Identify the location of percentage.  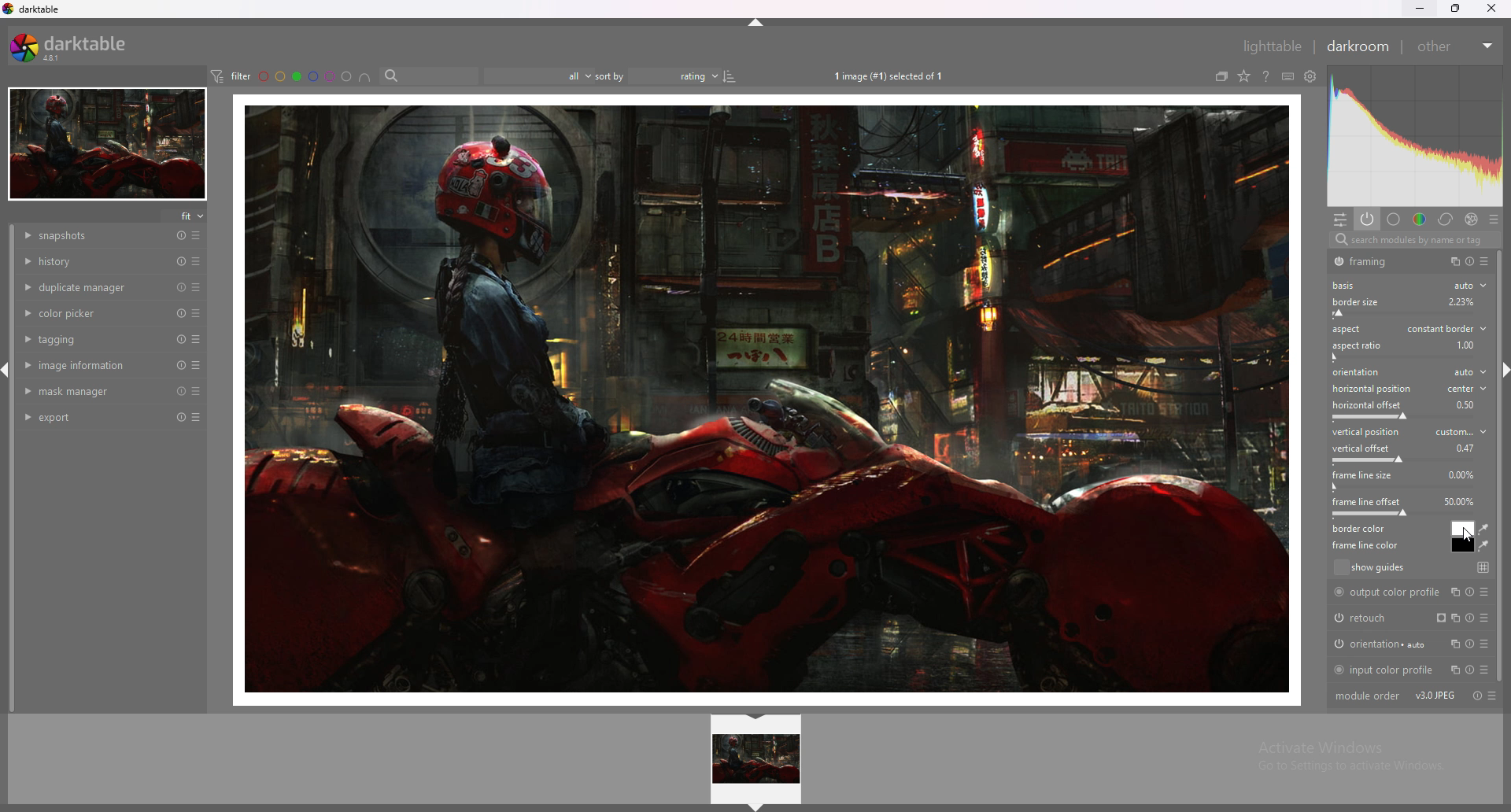
(1464, 474).